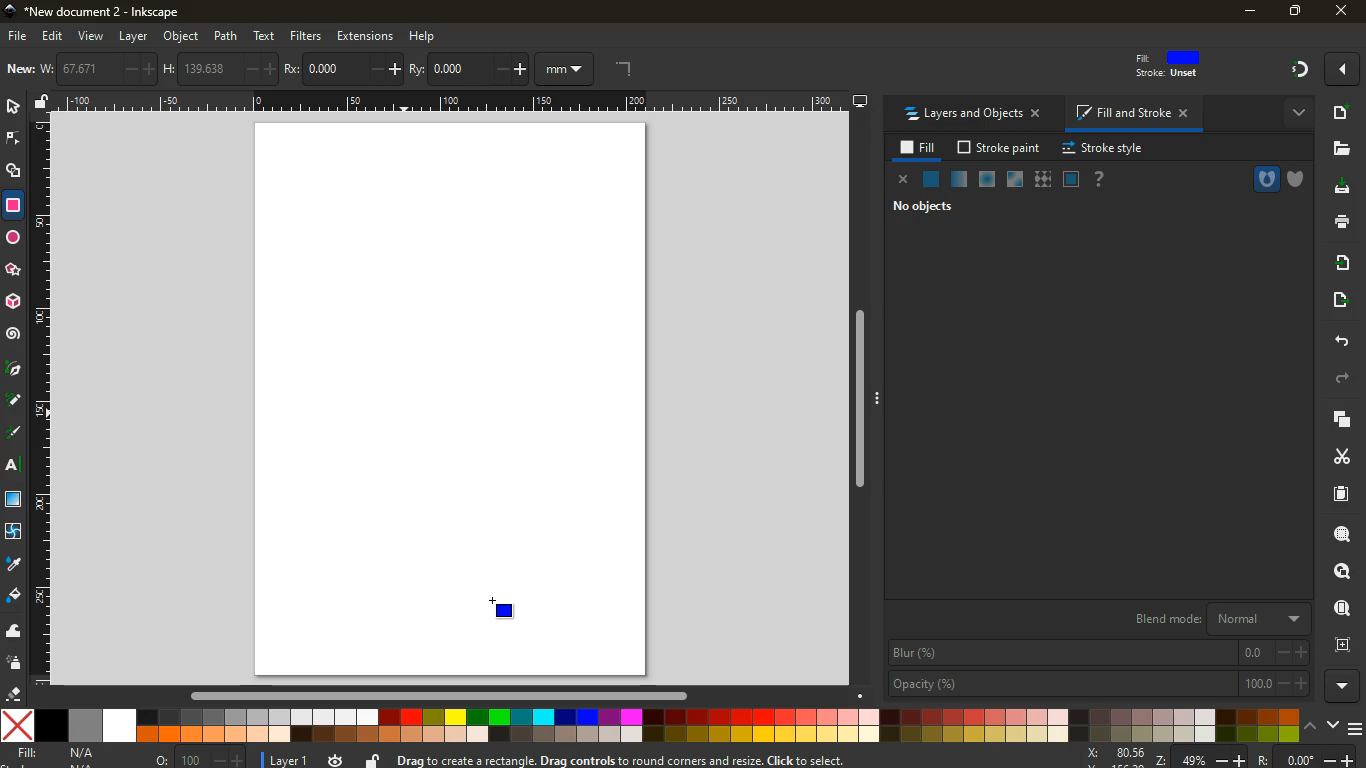 This screenshot has width=1366, height=768. I want to click on time, so click(337, 760).